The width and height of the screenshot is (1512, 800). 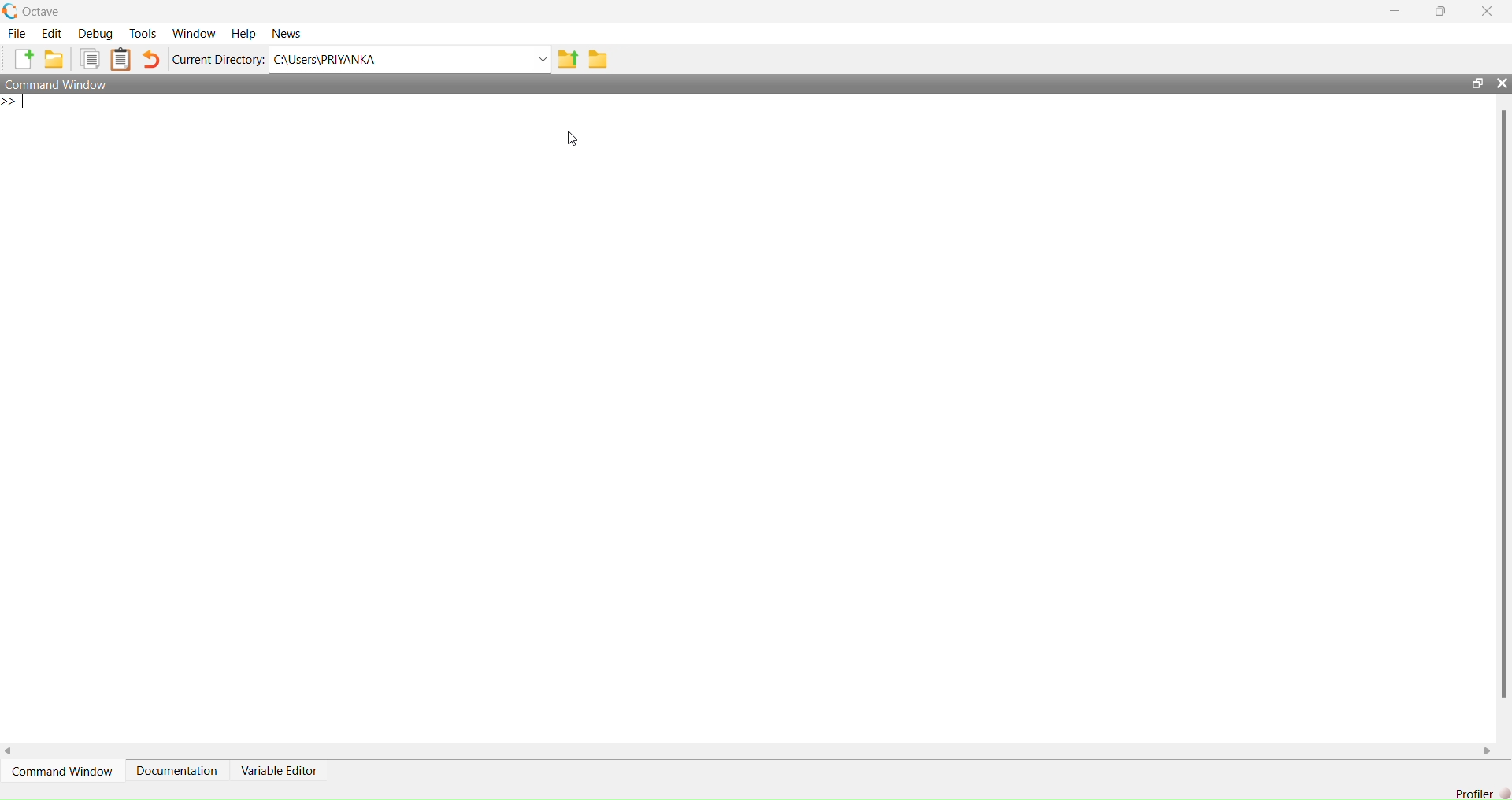 What do you see at coordinates (121, 59) in the screenshot?
I see `clip board` at bounding box center [121, 59].